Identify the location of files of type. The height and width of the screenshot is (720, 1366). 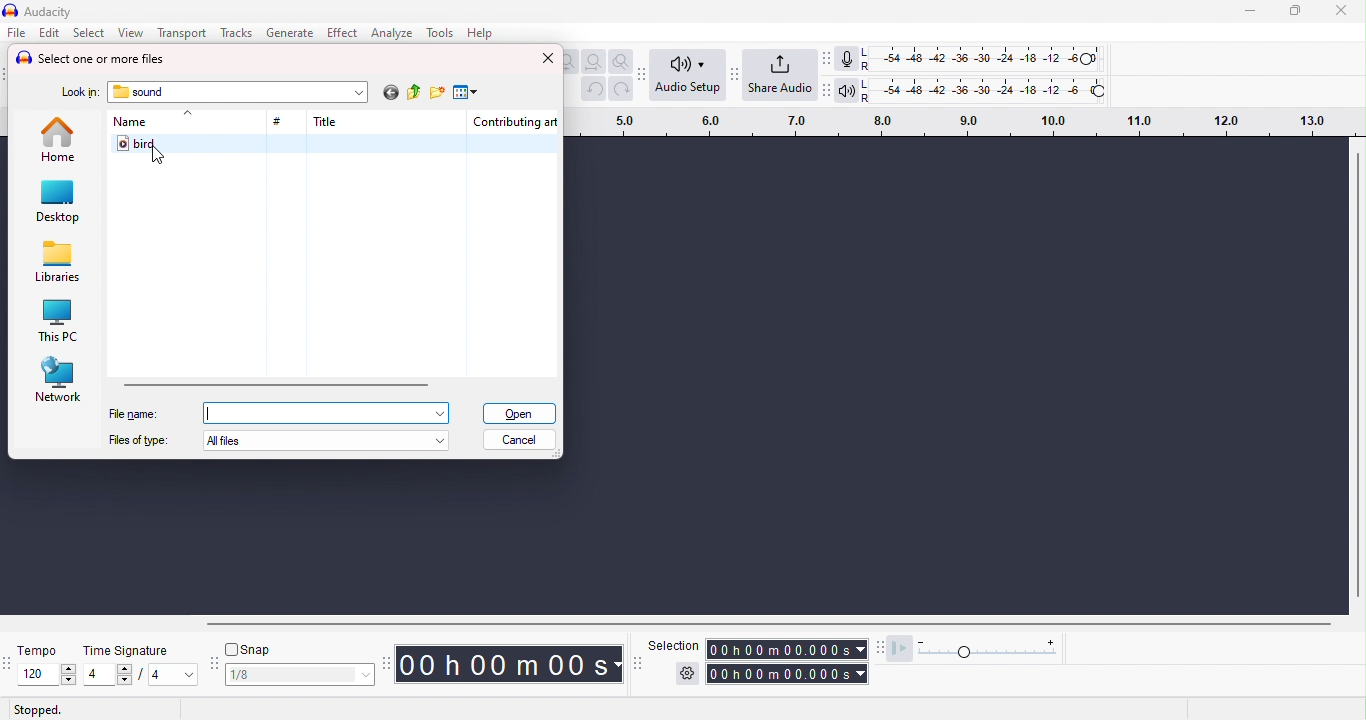
(138, 440).